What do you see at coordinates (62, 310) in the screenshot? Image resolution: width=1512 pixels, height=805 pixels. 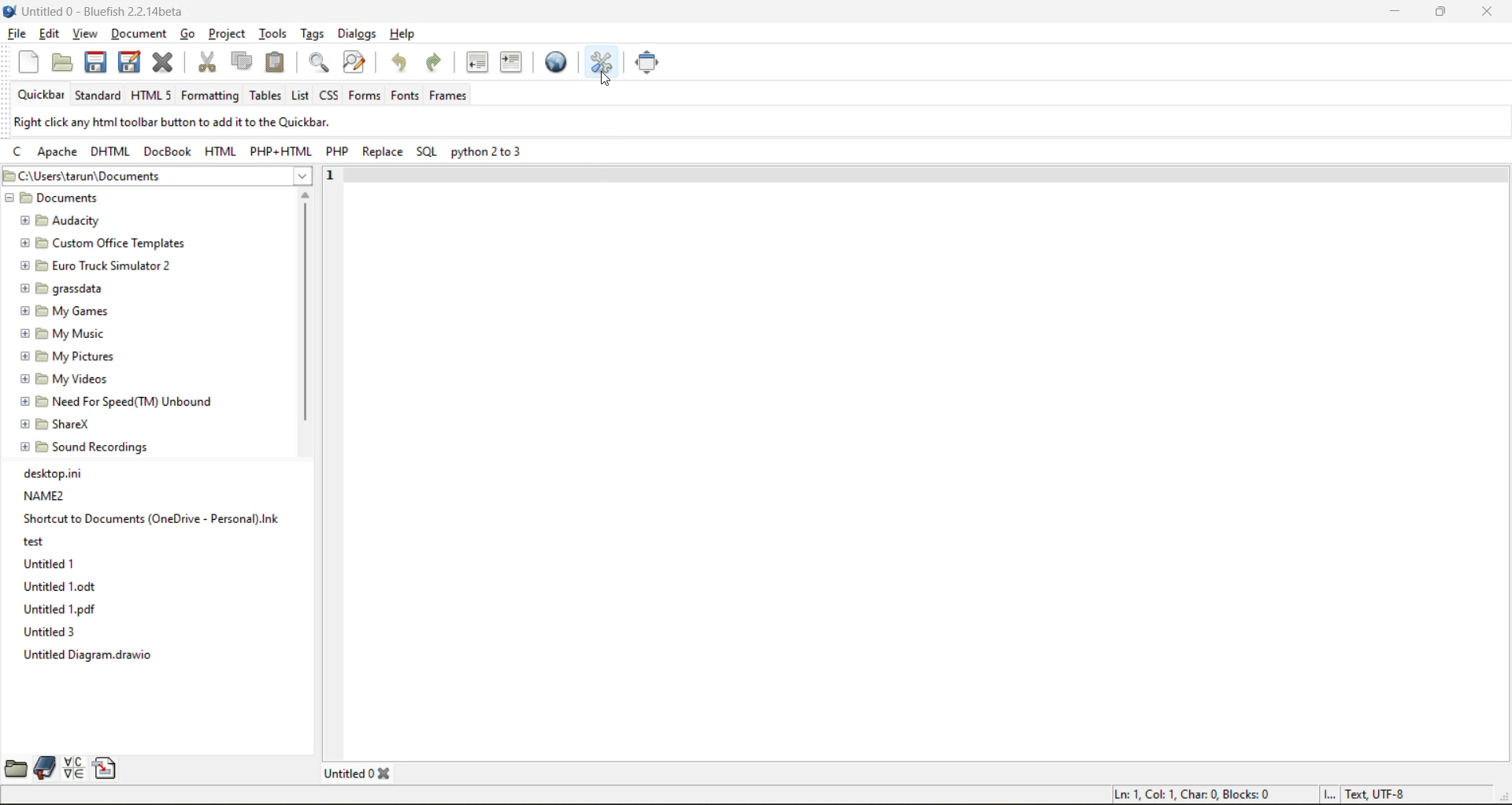 I see `@ [5 My Games` at bounding box center [62, 310].